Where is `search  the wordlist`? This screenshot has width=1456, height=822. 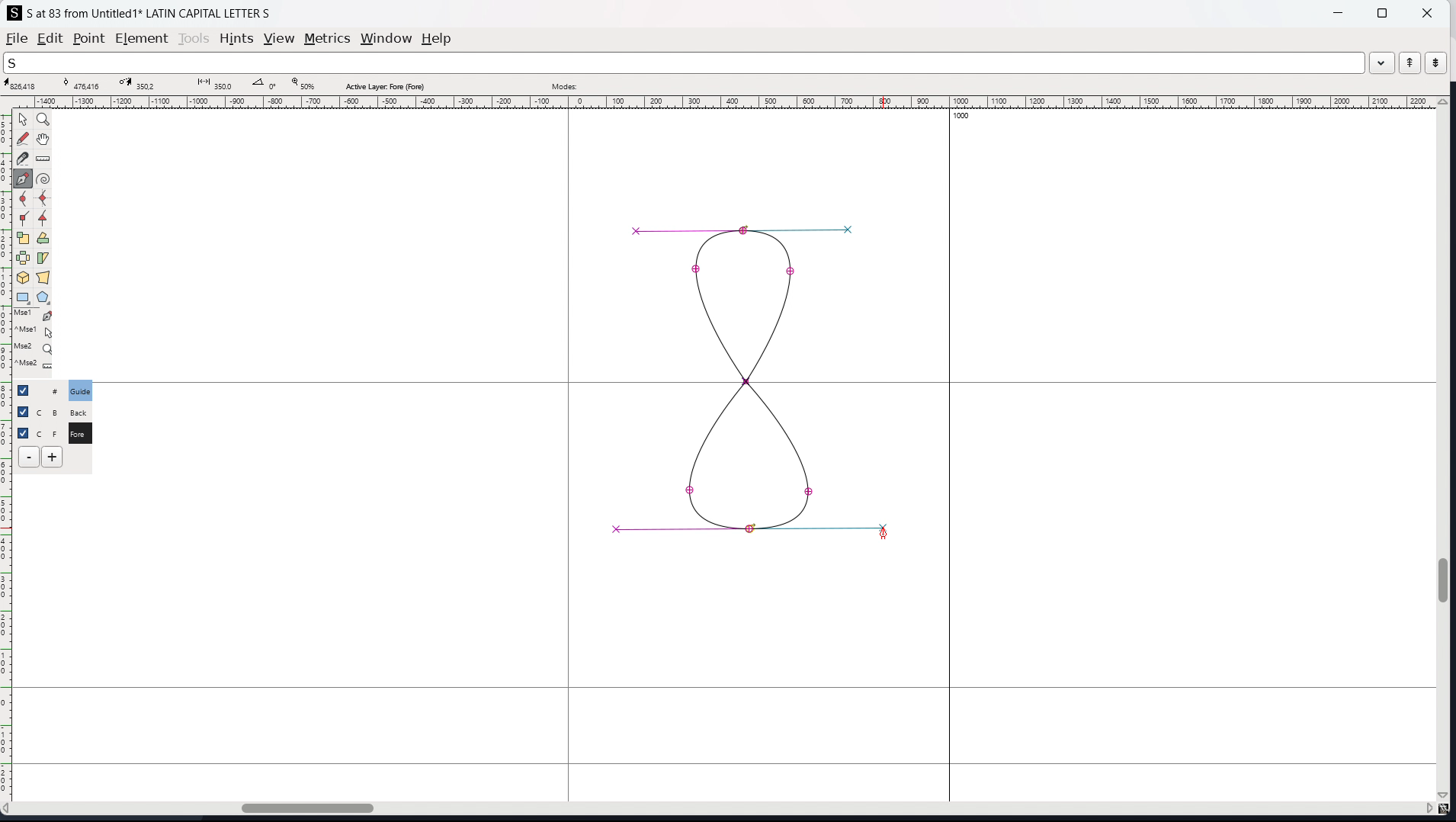
search  the wordlist is located at coordinates (684, 63).